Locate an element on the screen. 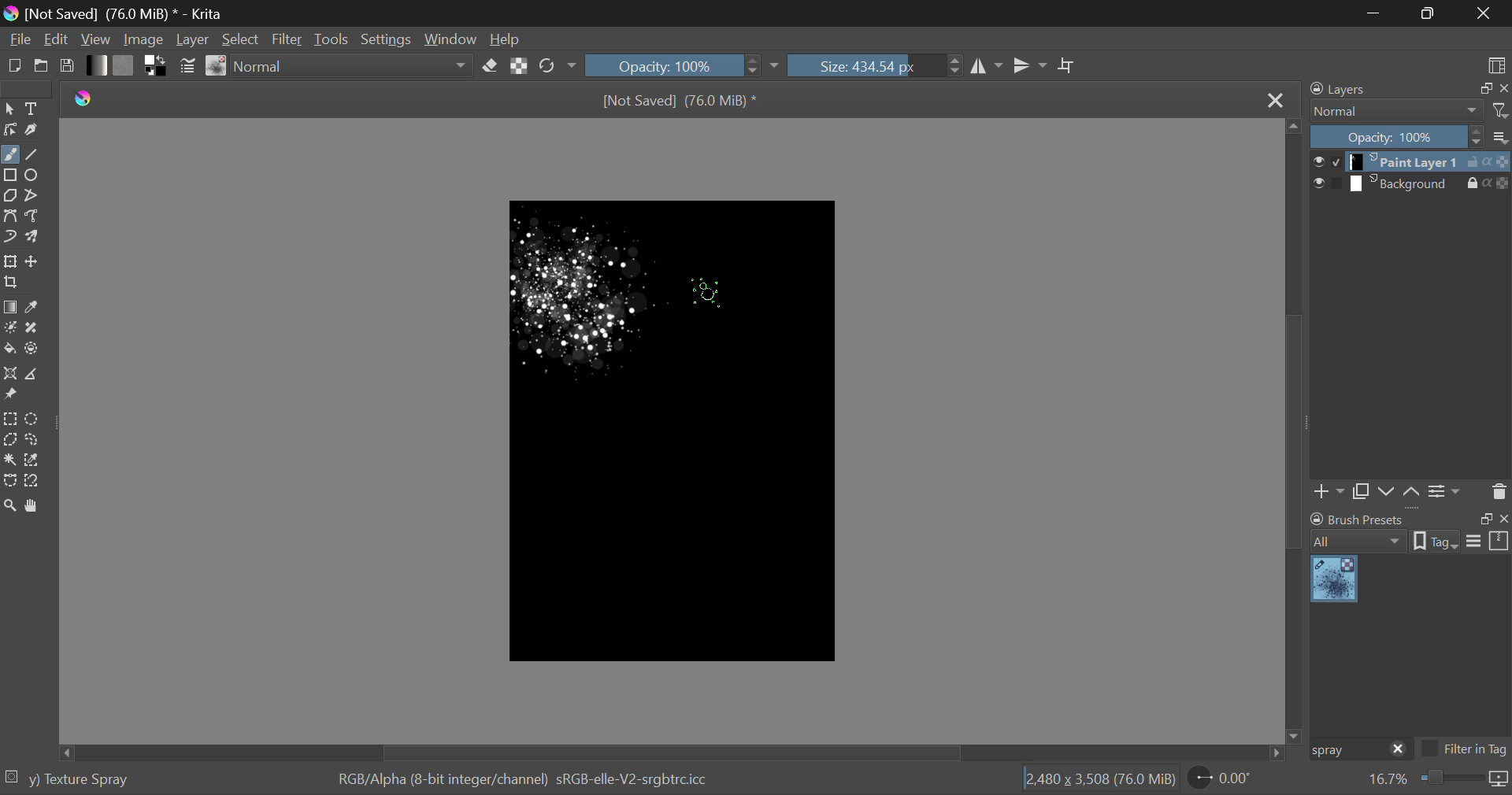 This screenshot has width=1512, height=795. Blending Mode is located at coordinates (354, 66).